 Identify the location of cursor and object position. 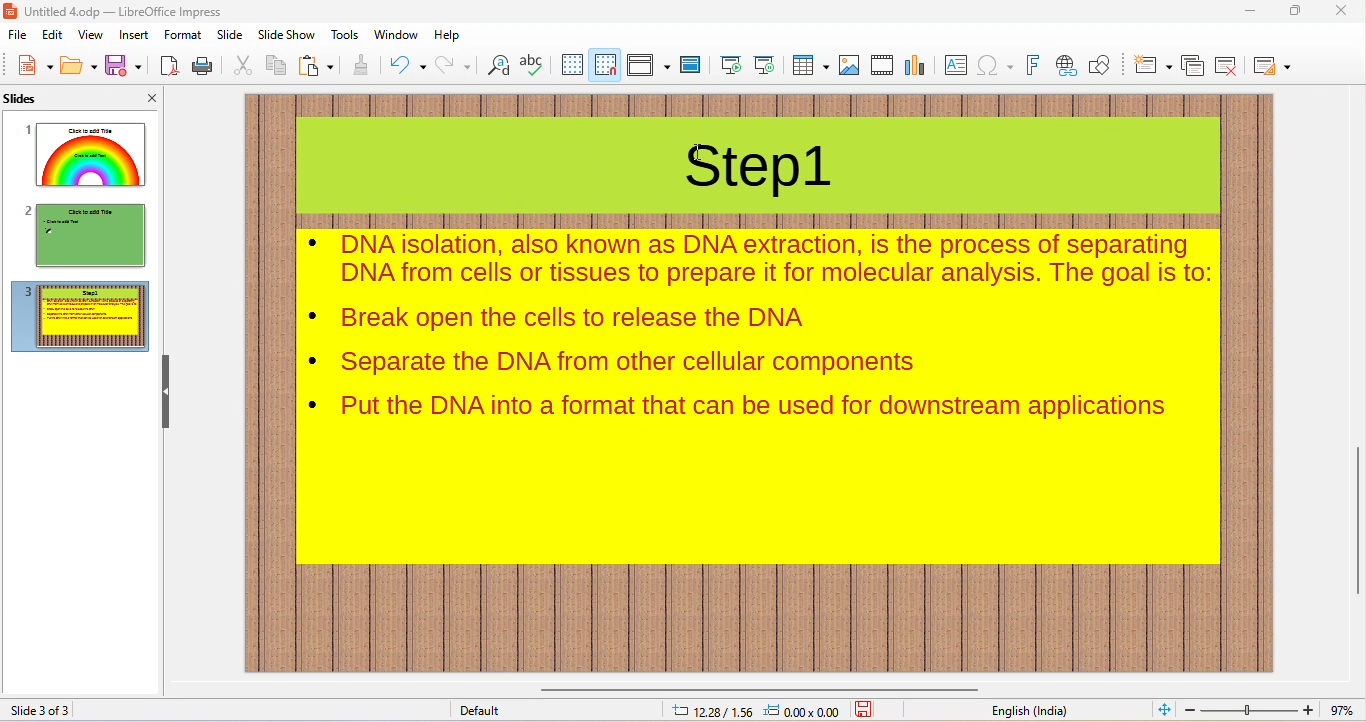
(751, 710).